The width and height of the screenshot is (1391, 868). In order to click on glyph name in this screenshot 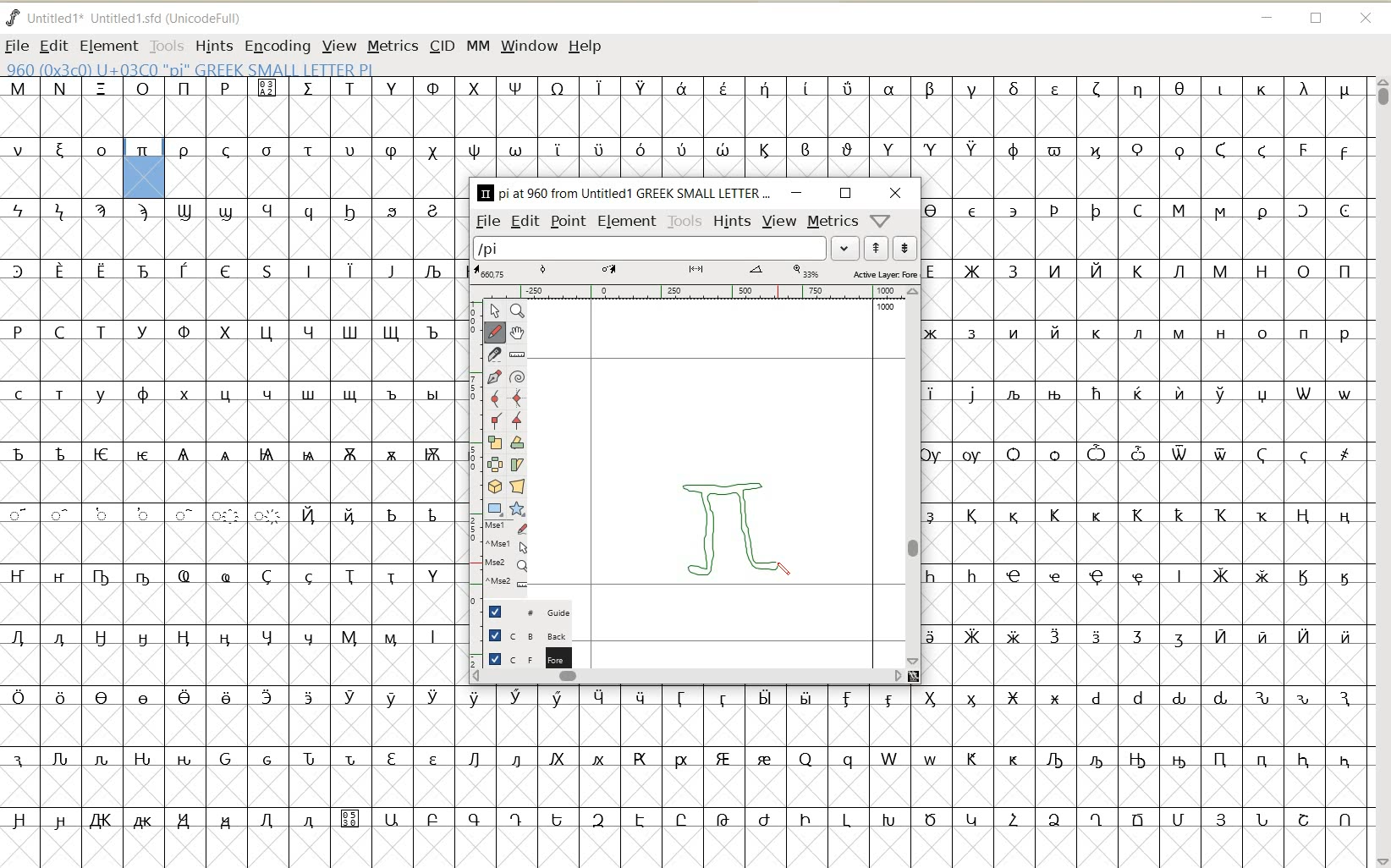, I will do `click(623, 191)`.